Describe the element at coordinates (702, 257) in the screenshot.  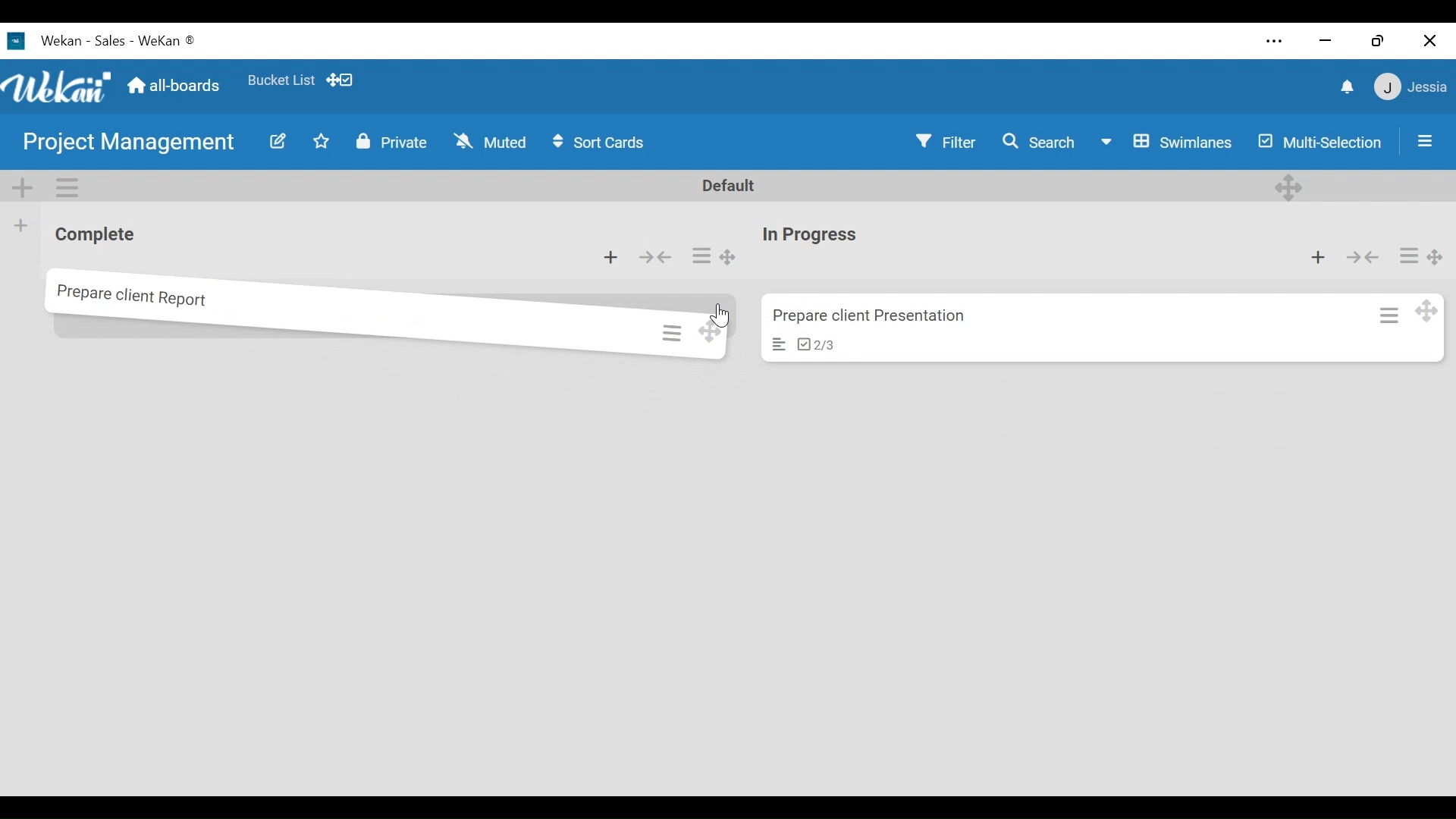
I see `List actions` at that location.